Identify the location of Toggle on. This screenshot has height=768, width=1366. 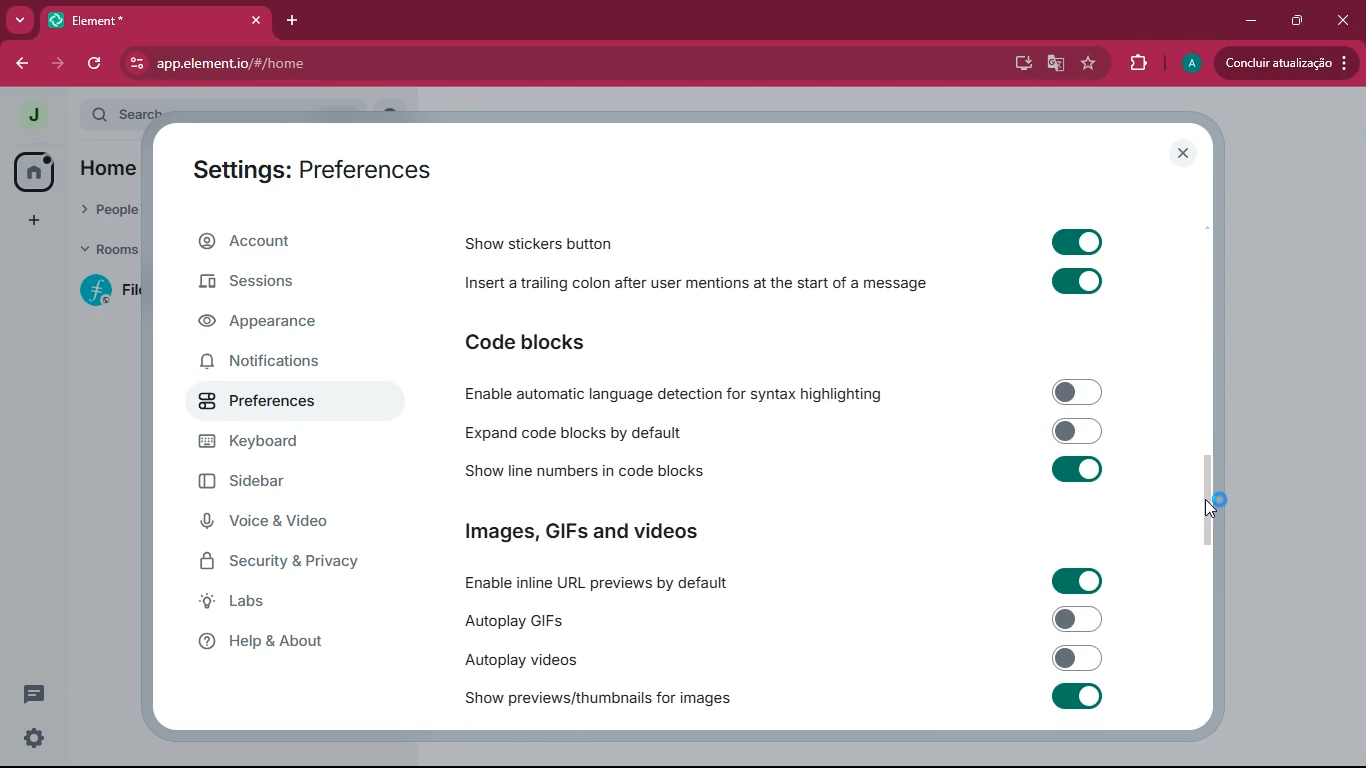
(1074, 698).